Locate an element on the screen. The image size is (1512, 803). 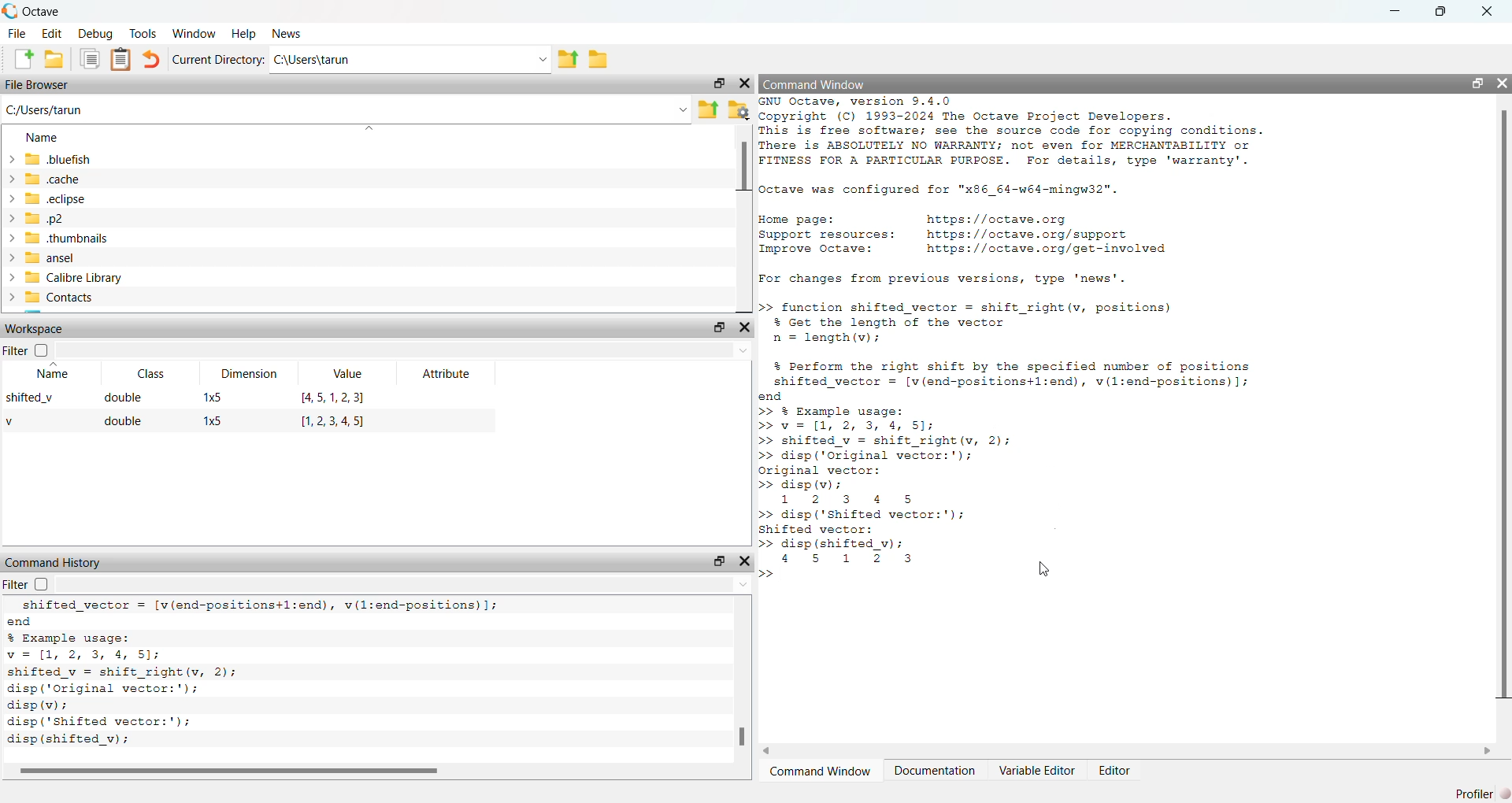
unlock widget is located at coordinates (715, 560).